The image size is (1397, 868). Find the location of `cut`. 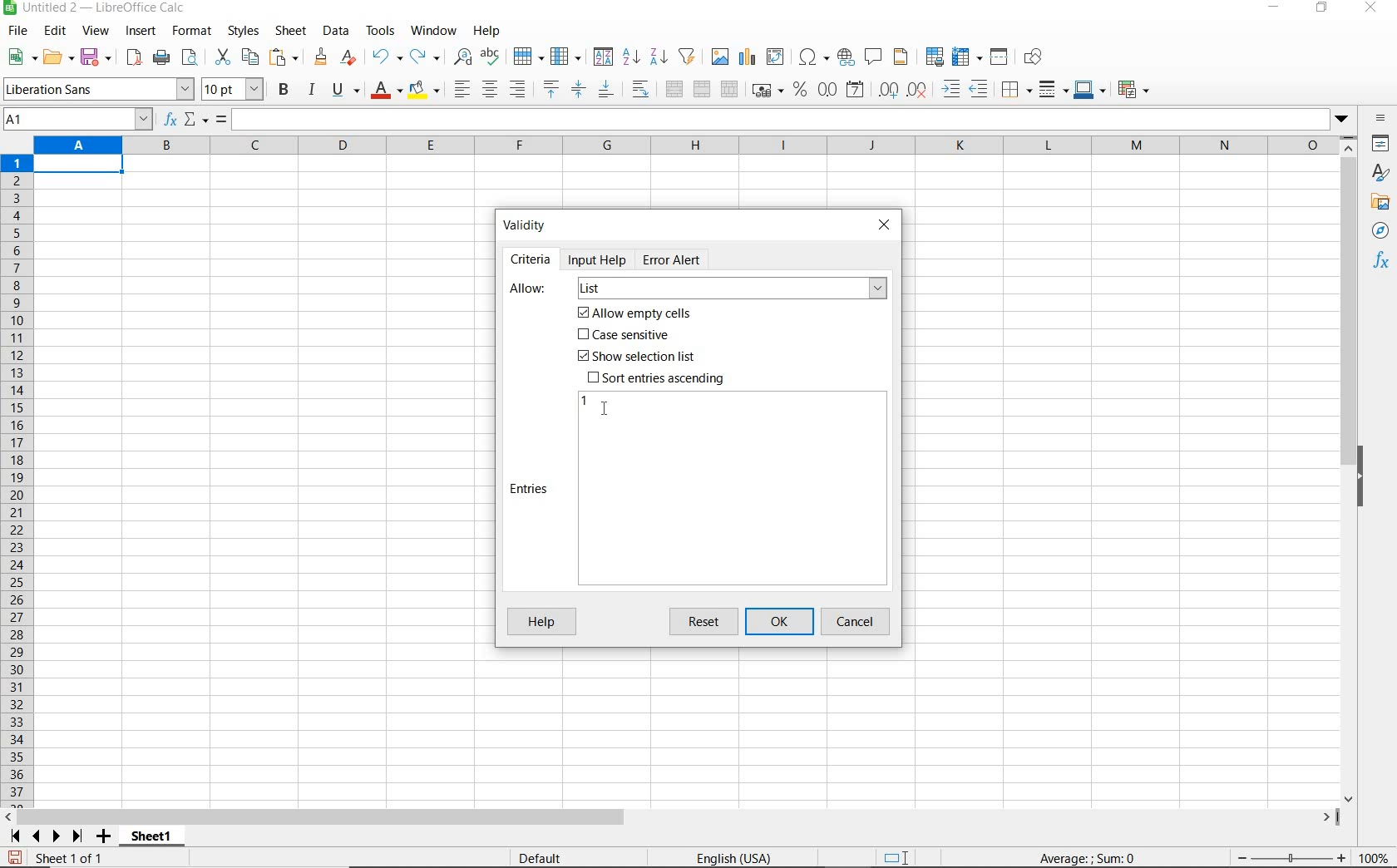

cut is located at coordinates (222, 57).